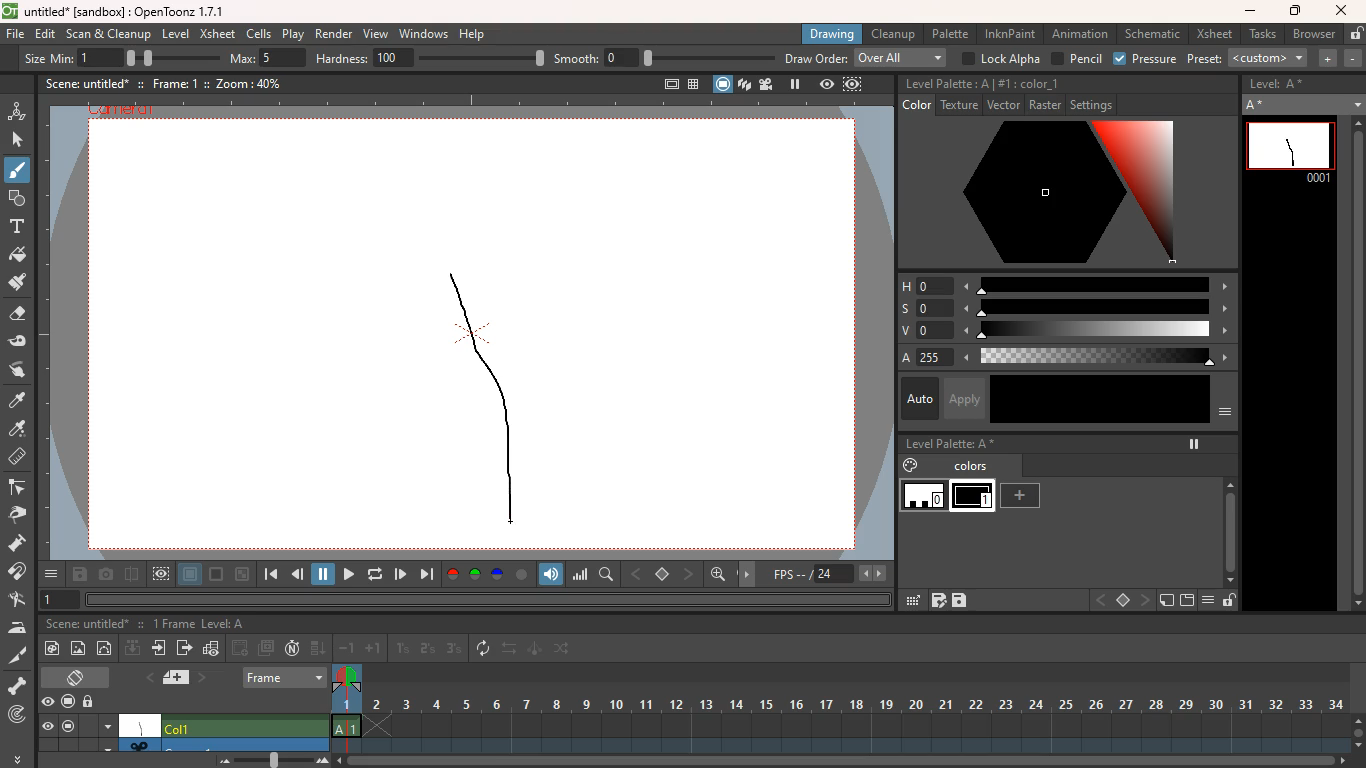 This screenshot has width=1366, height=768. Describe the element at coordinates (107, 725) in the screenshot. I see `menu` at that location.